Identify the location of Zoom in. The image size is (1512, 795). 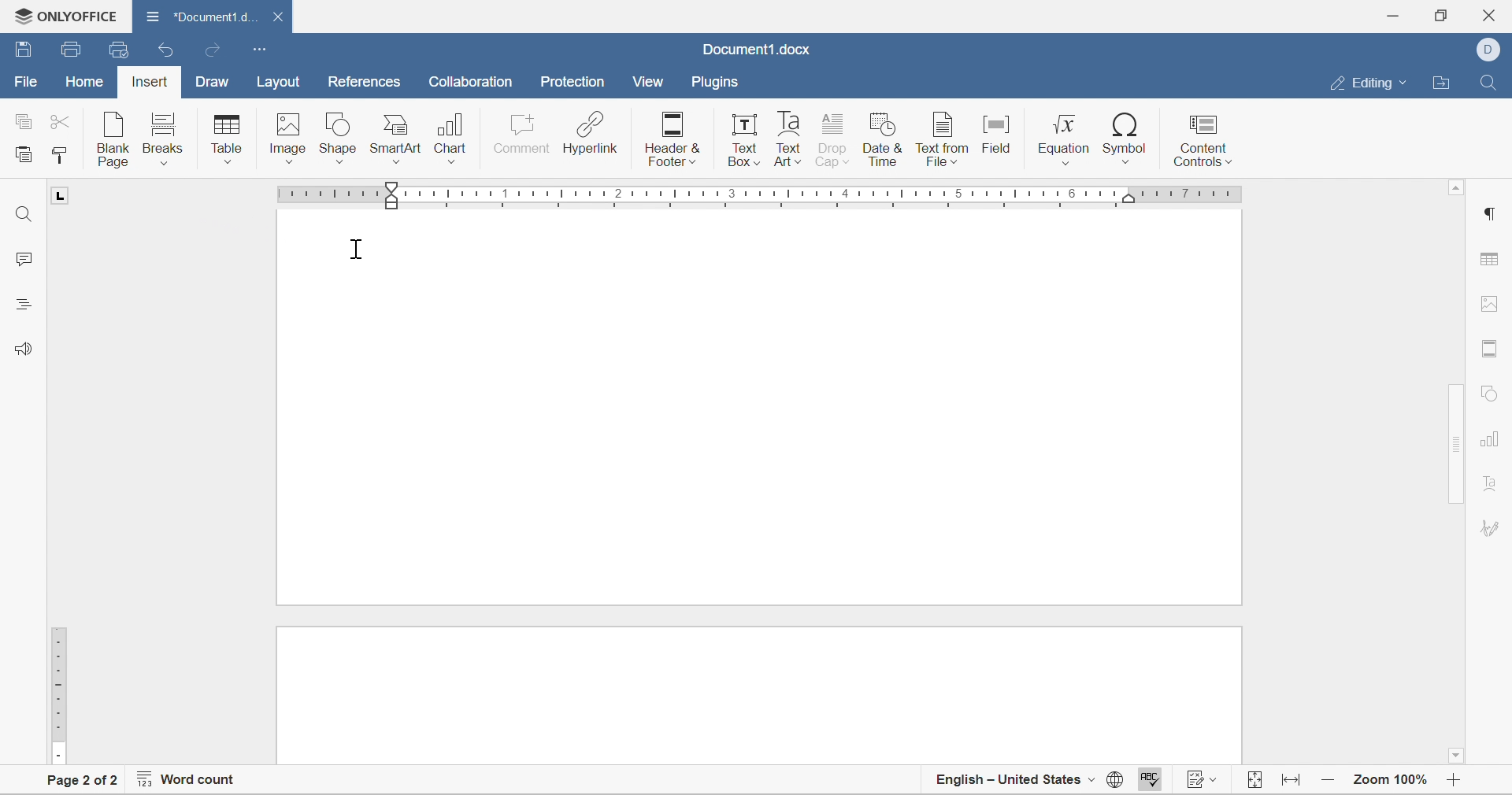
(1458, 784).